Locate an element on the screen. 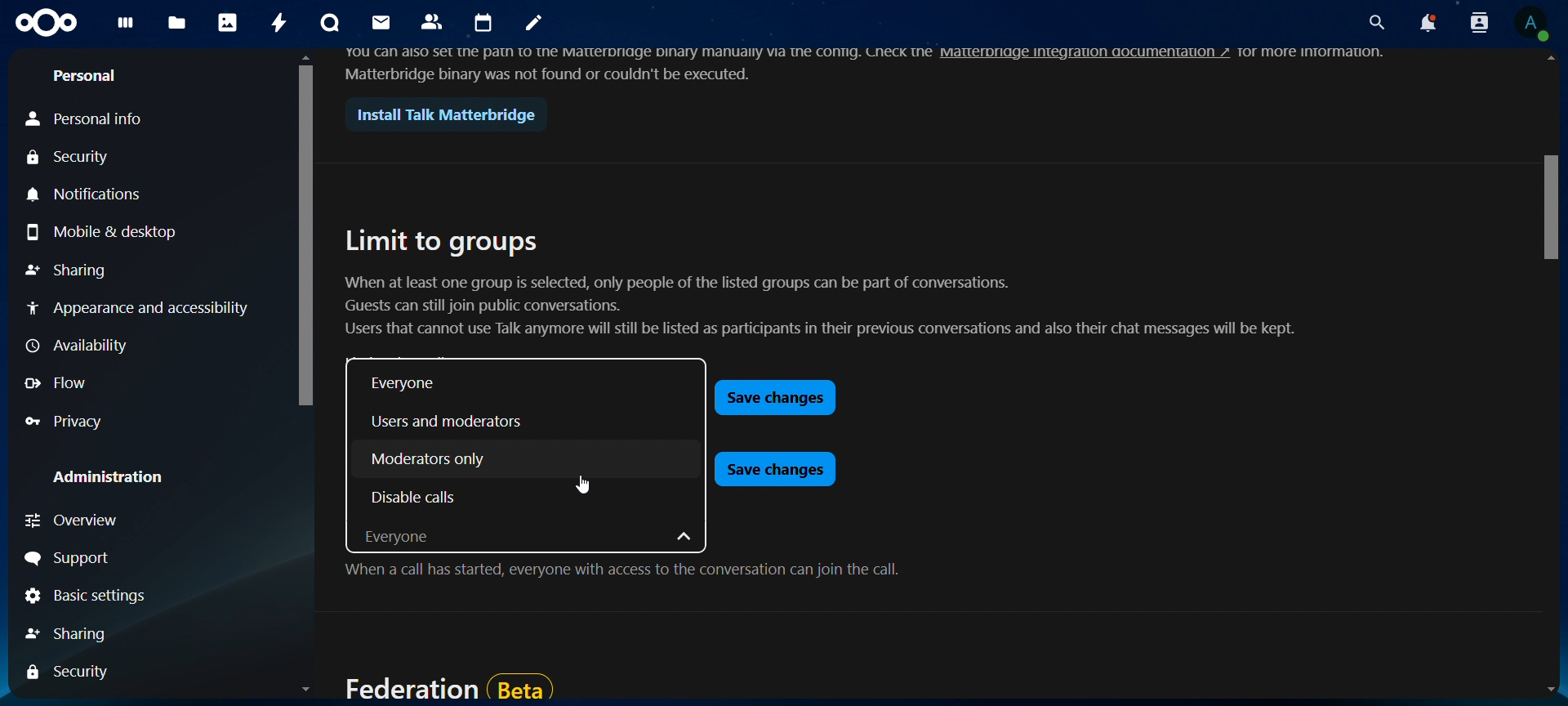 The height and width of the screenshot is (706, 1568). notifications is located at coordinates (1428, 23).